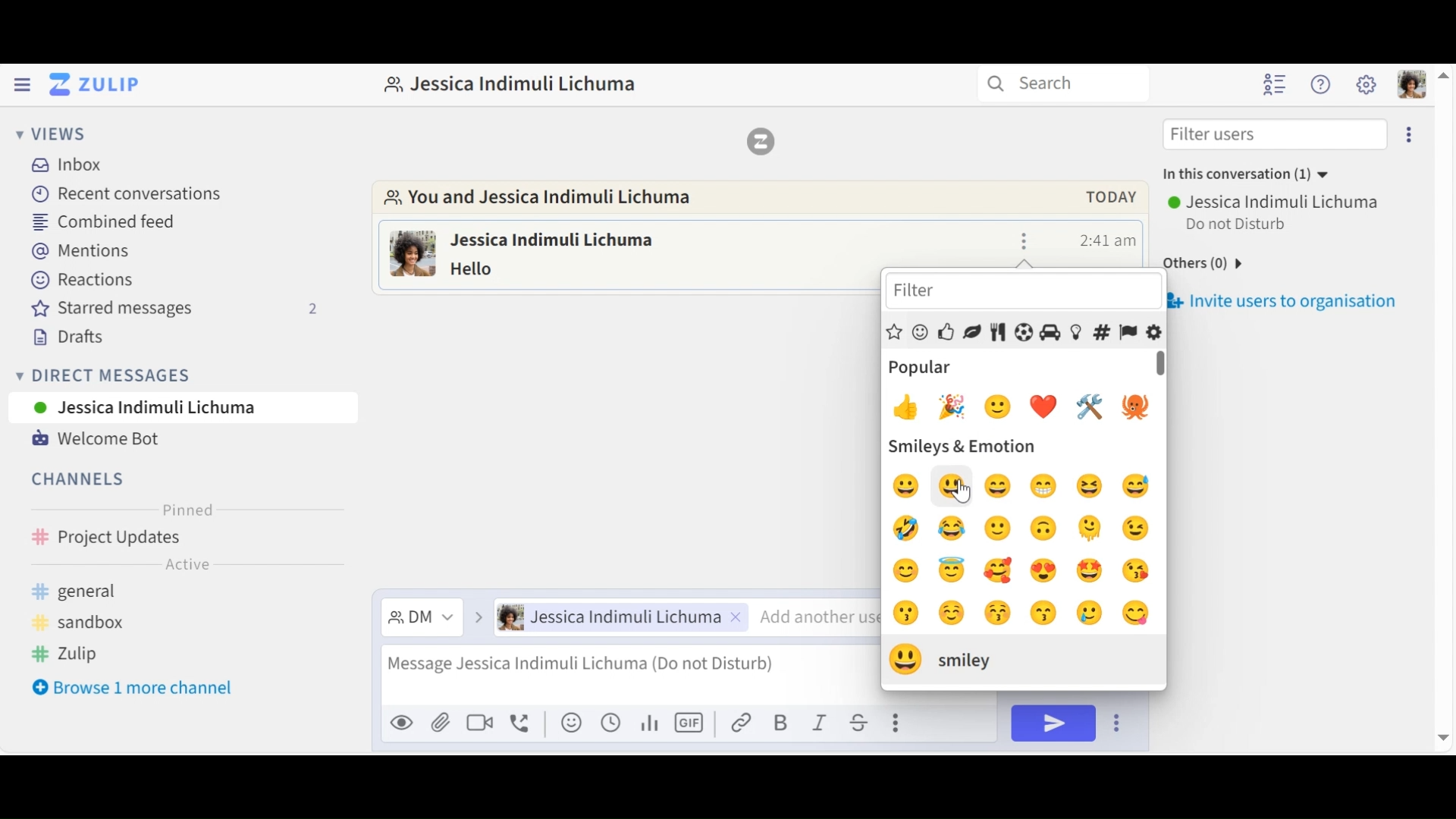 The width and height of the screenshot is (1456, 819). I want to click on Views, so click(47, 132).